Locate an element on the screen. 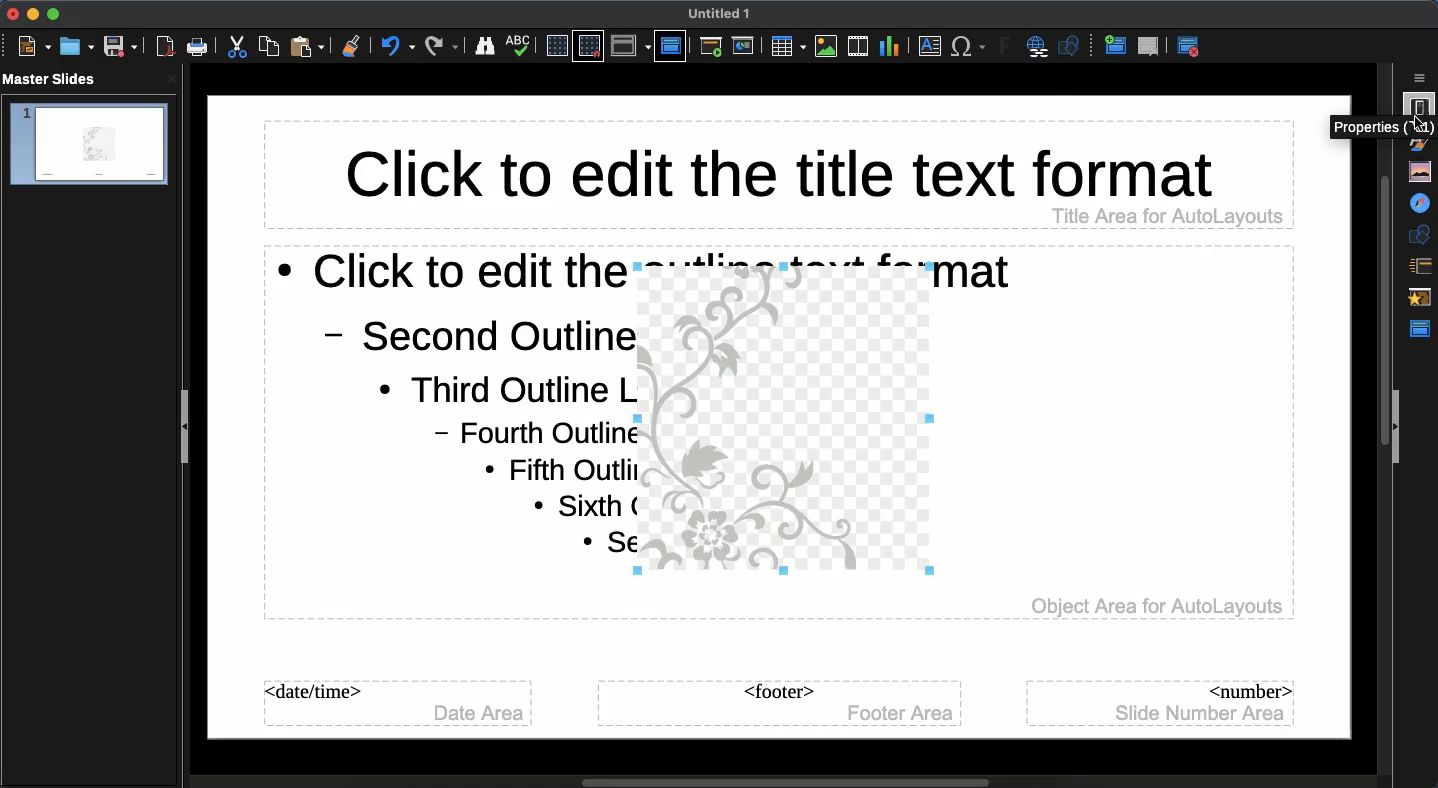 Image resolution: width=1438 pixels, height=788 pixels. Master view close is located at coordinates (1192, 46).